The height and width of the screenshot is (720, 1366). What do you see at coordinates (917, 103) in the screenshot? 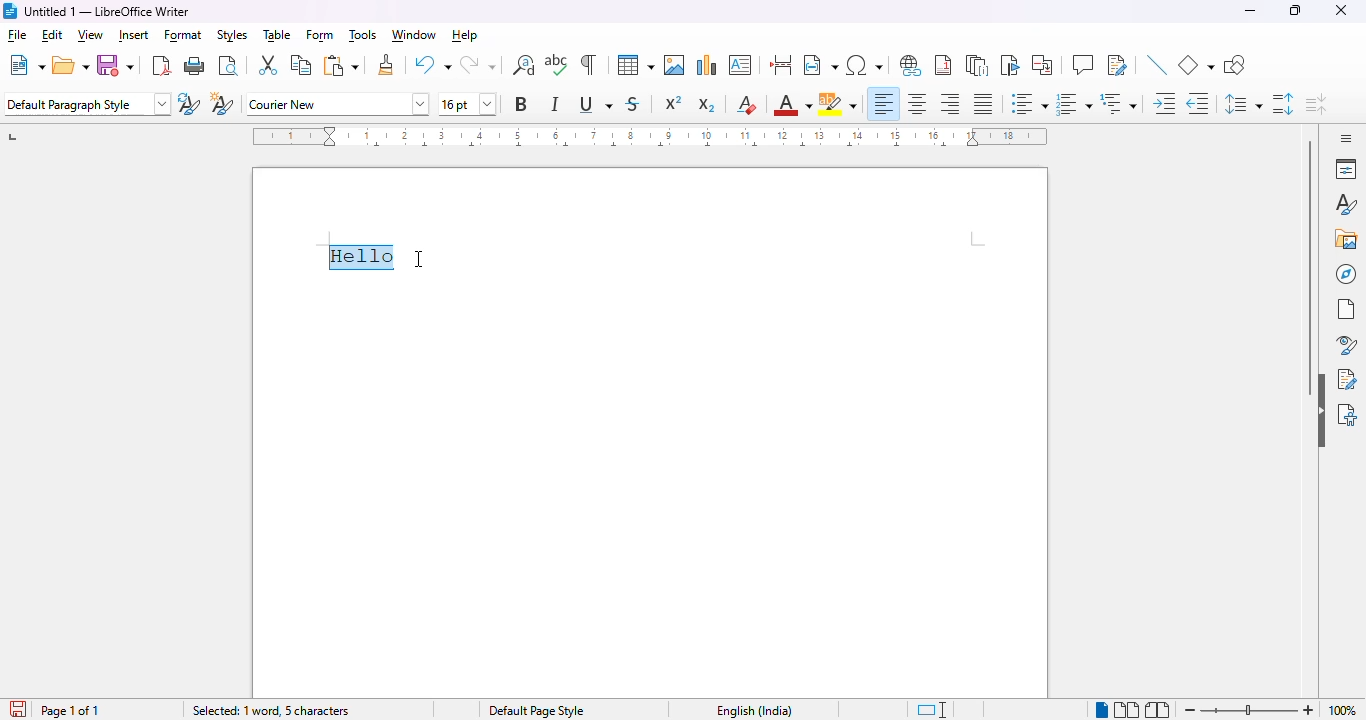
I see `align center` at bounding box center [917, 103].